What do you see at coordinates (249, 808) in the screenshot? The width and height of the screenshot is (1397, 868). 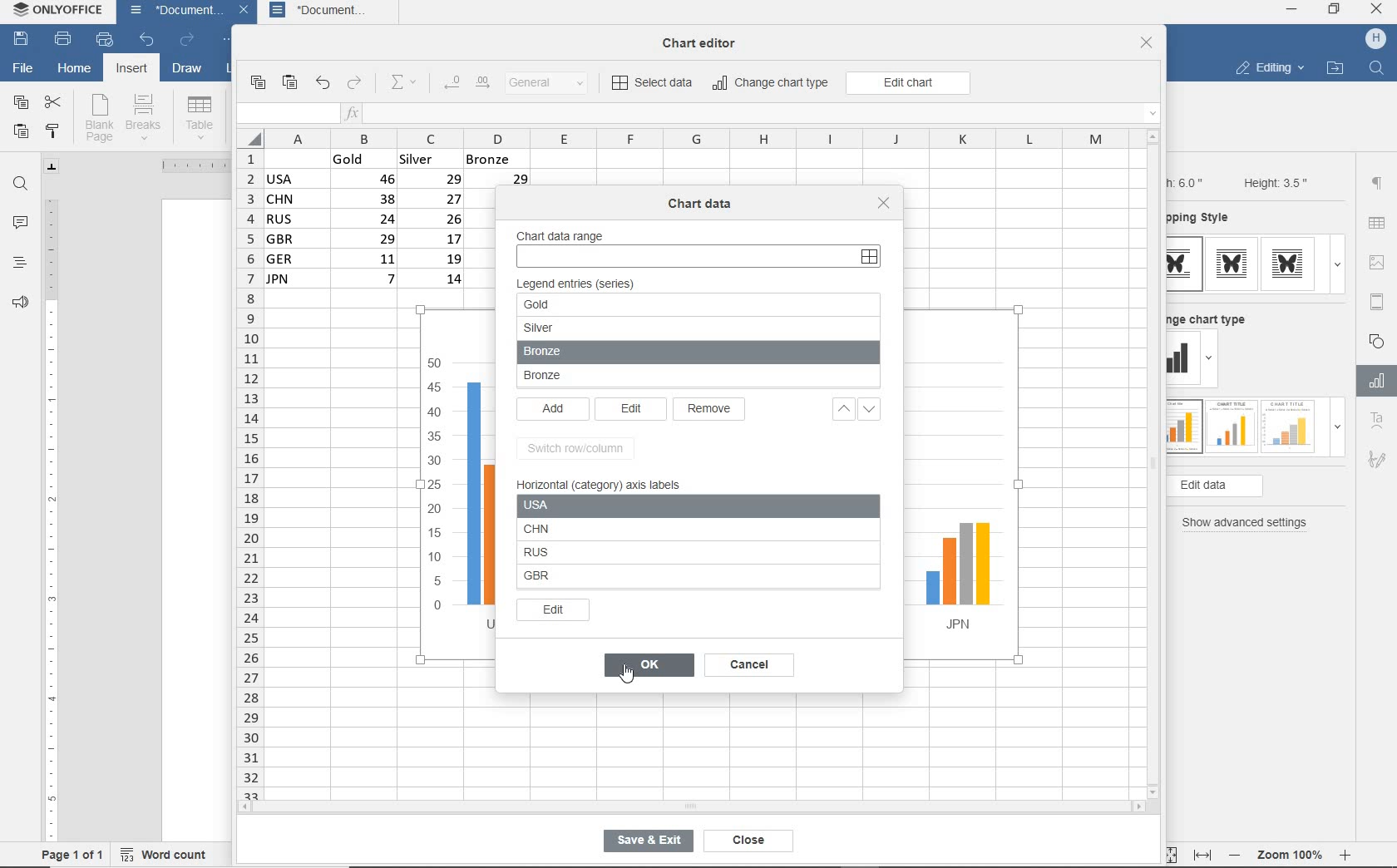 I see `scroll left` at bounding box center [249, 808].